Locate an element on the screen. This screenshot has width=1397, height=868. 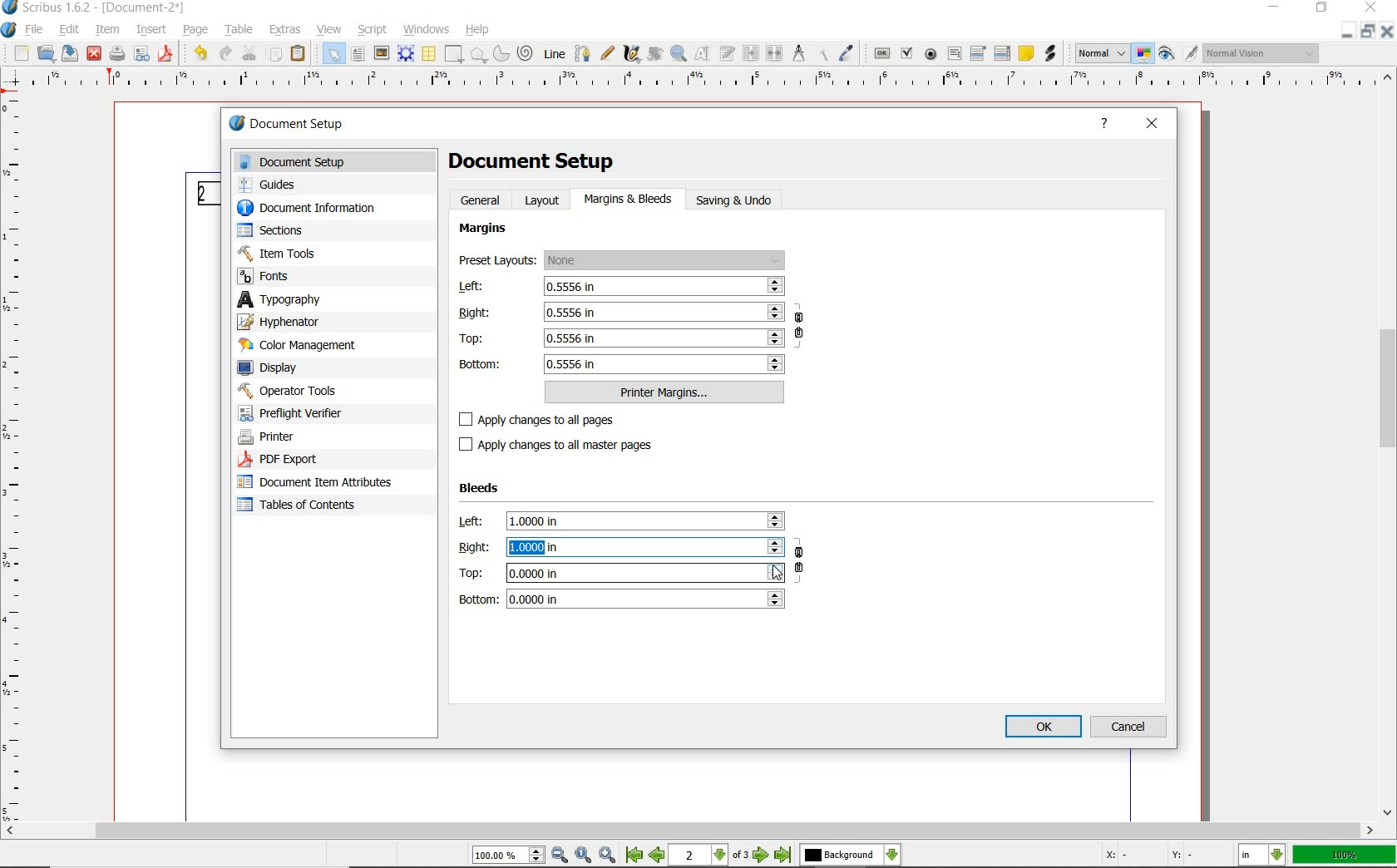
bottom is located at coordinates (621, 599).